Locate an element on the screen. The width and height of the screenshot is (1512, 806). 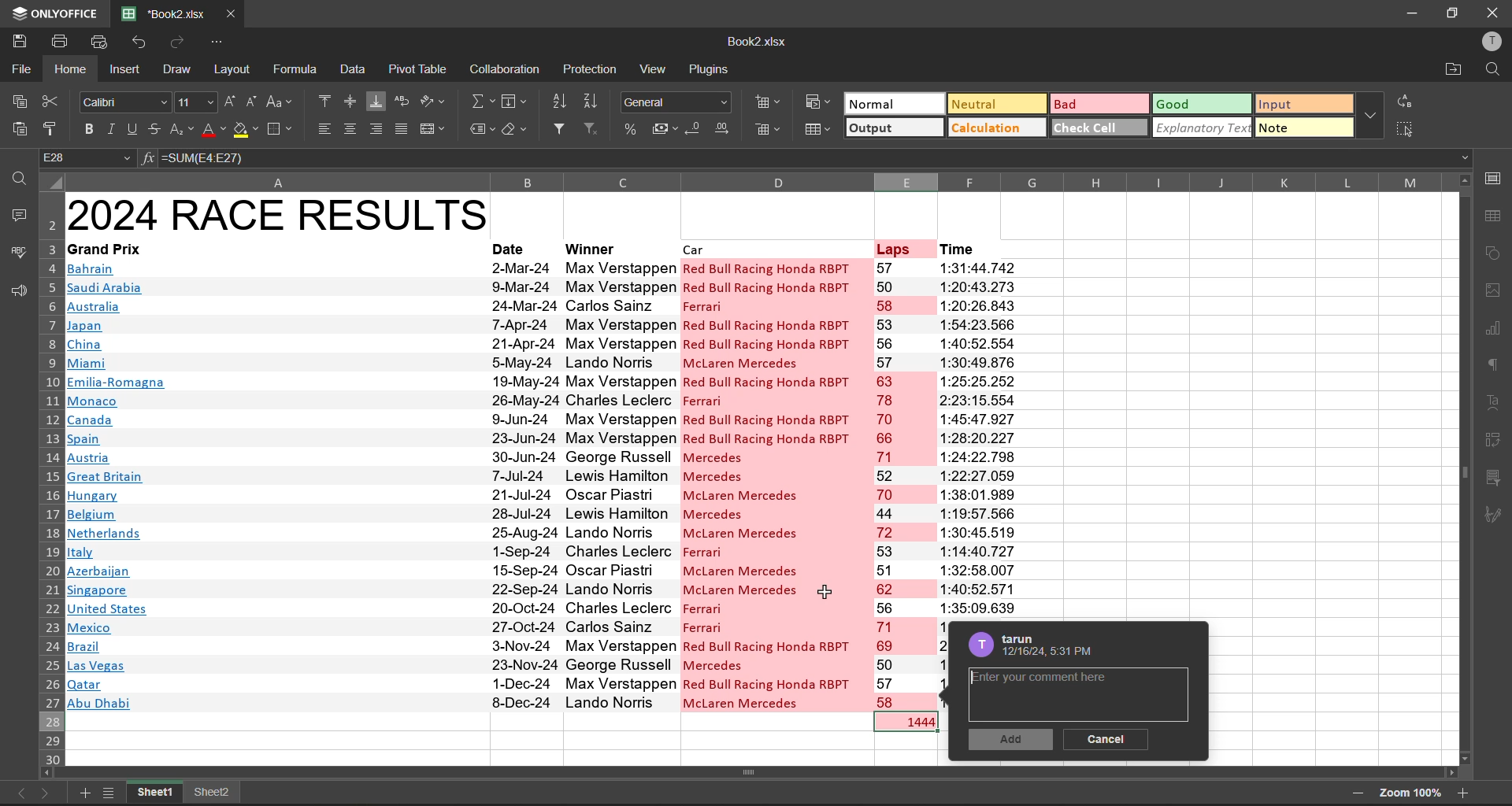
copy is located at coordinates (17, 98).